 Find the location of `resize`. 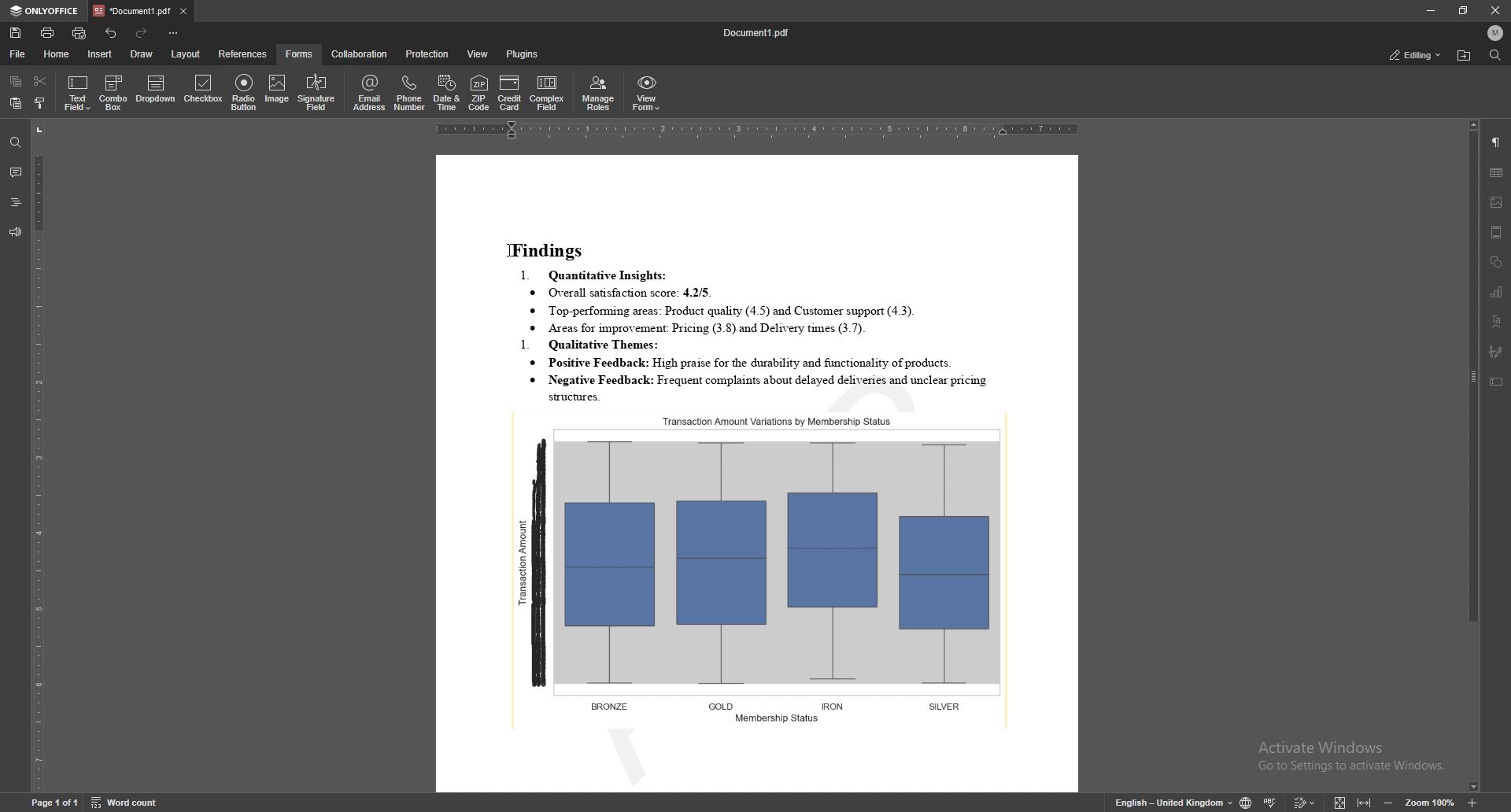

resize is located at coordinates (1463, 10).